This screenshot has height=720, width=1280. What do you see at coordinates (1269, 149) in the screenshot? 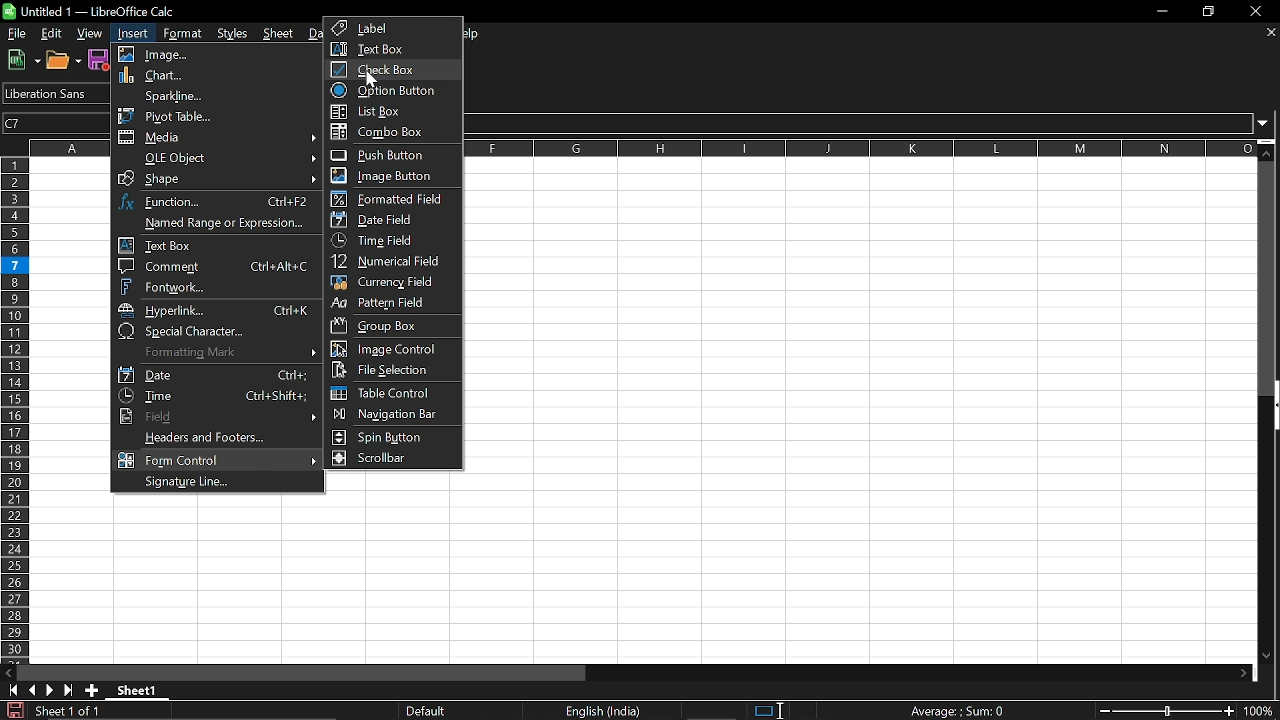
I see `Move down` at bounding box center [1269, 149].